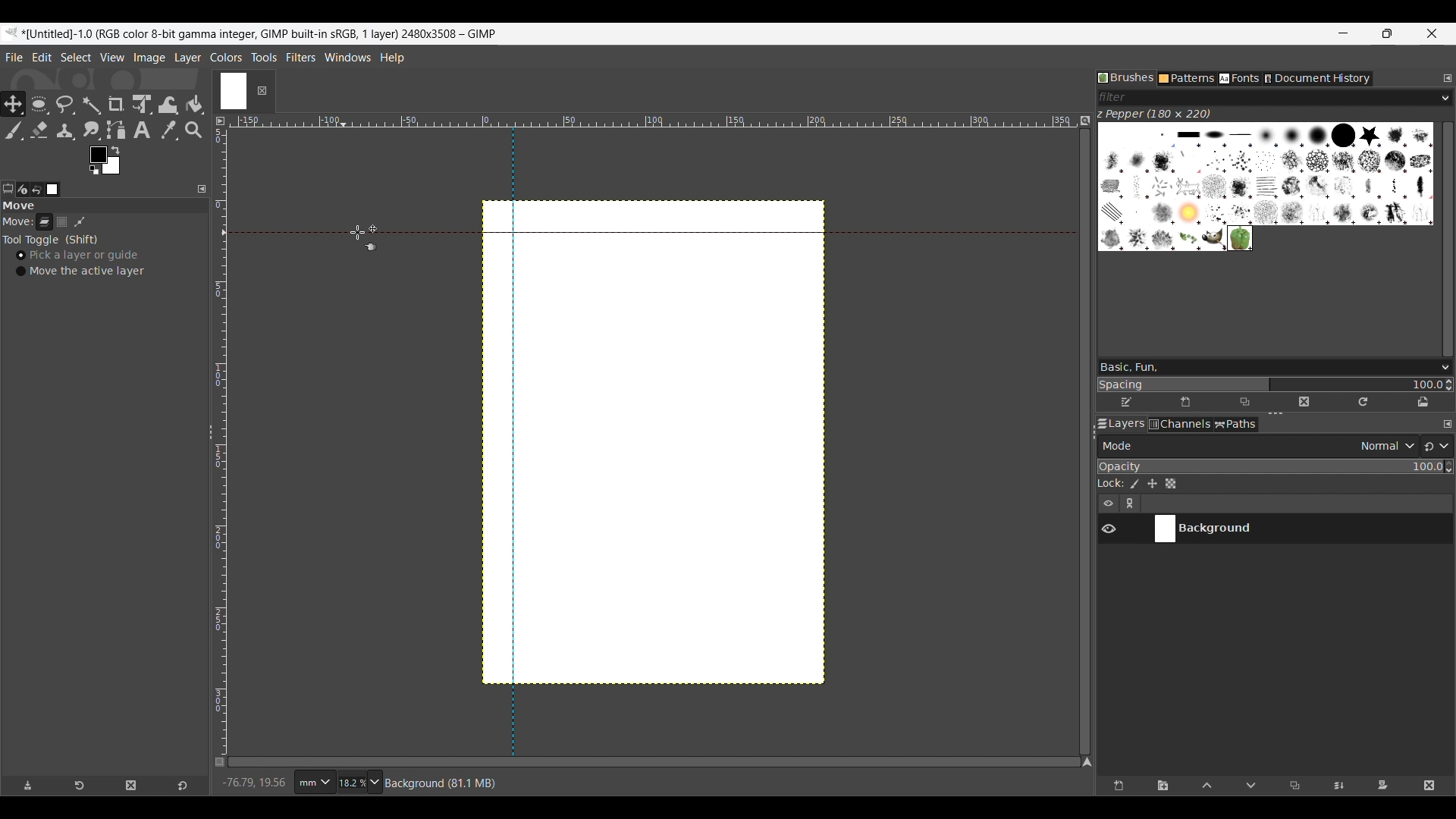  What do you see at coordinates (1084, 121) in the screenshot?
I see `Zoom image when video size changes` at bounding box center [1084, 121].